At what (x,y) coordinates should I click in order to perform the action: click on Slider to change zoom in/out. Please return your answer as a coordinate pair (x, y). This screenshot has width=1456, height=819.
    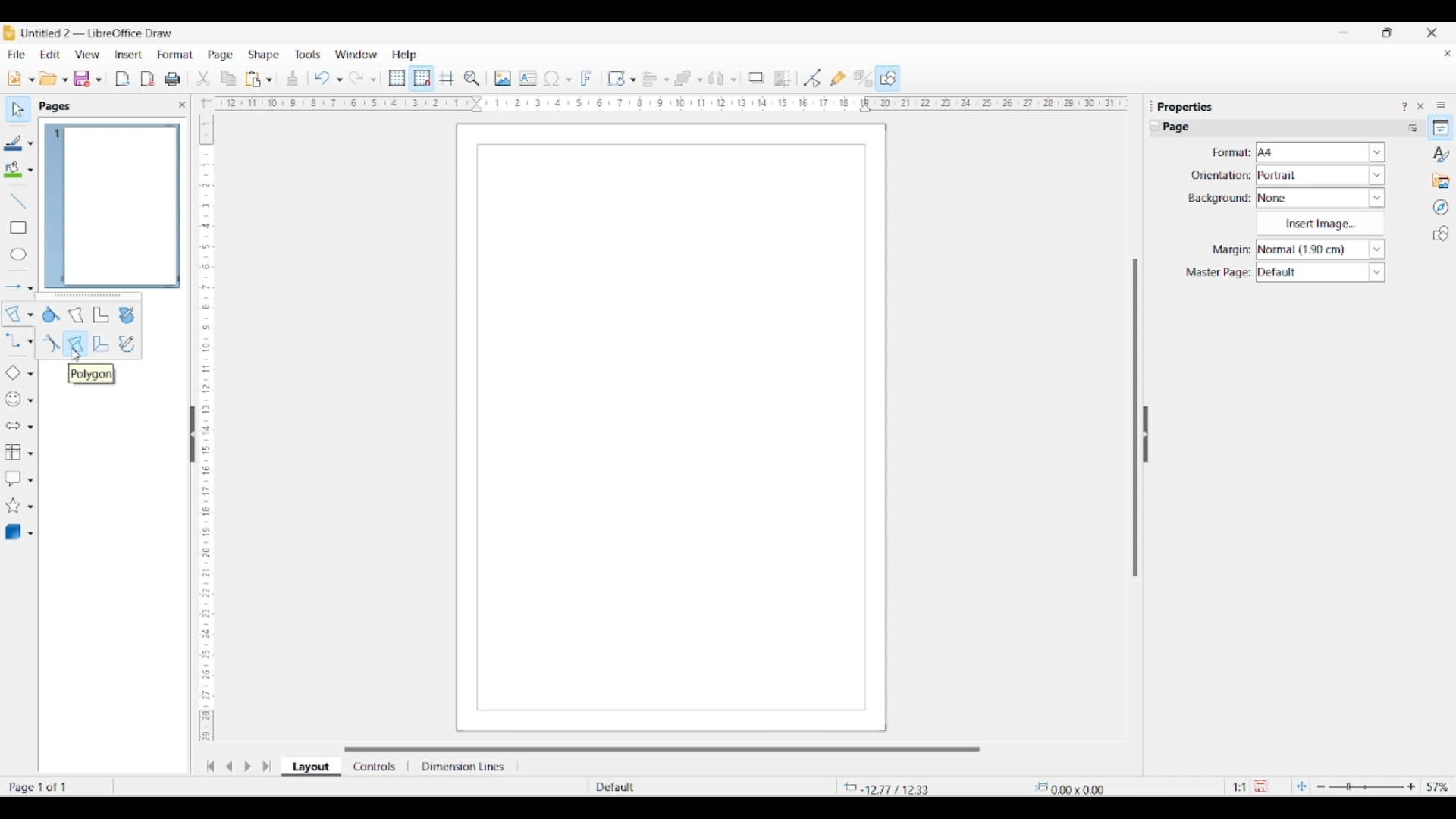
    Looking at the image, I should click on (1366, 786).